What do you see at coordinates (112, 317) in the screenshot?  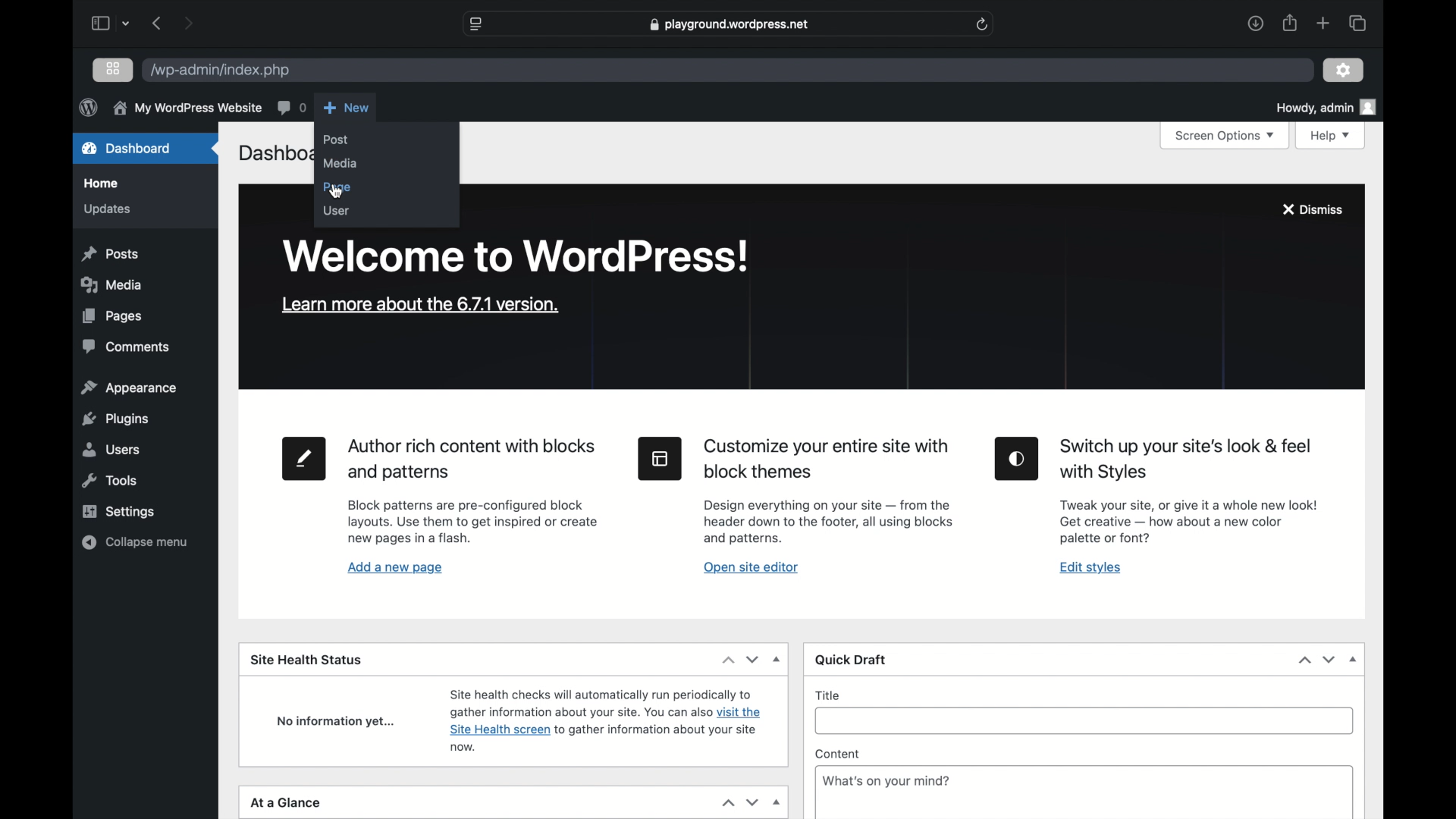 I see `pages` at bounding box center [112, 317].